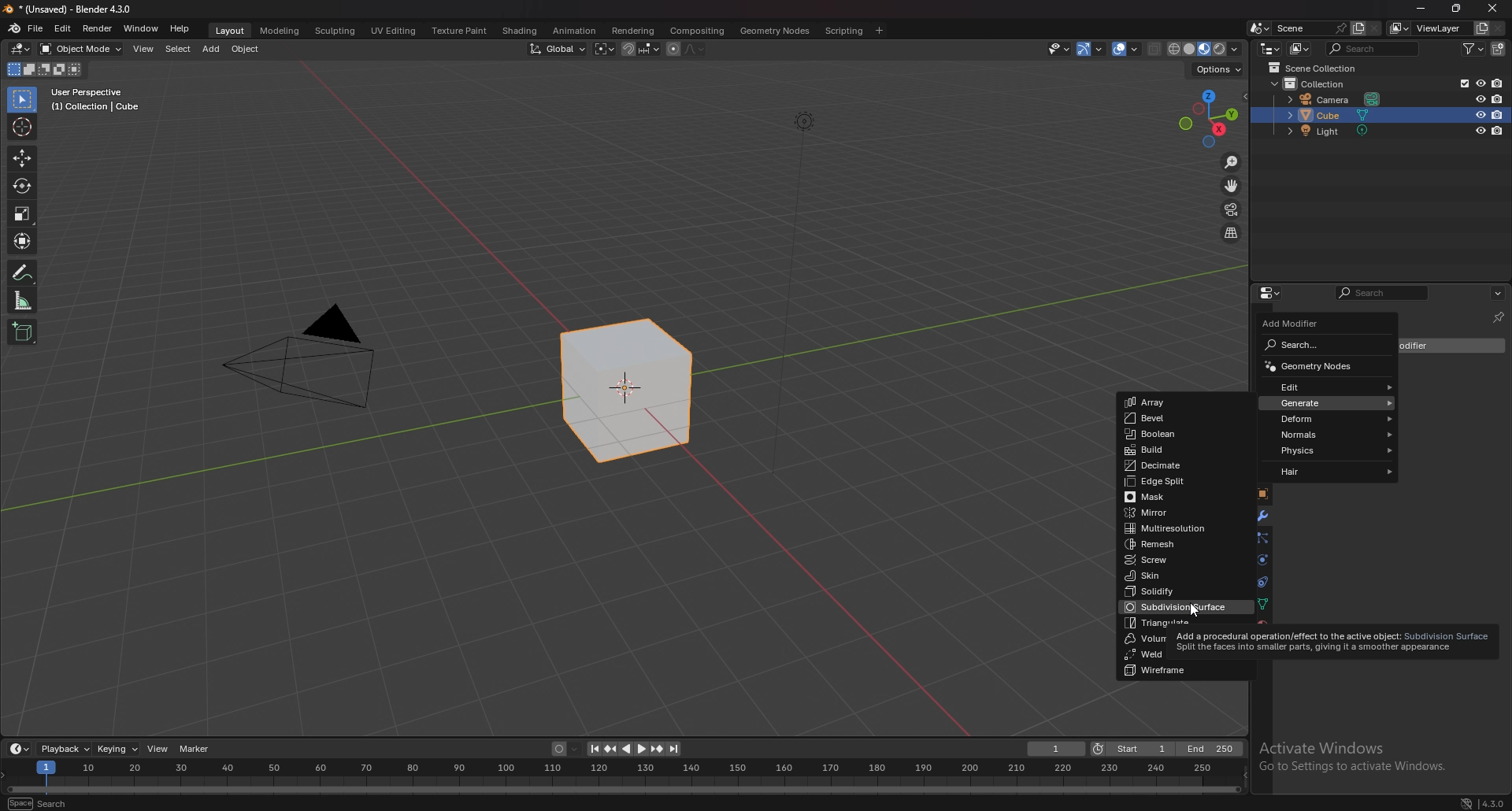 The width and height of the screenshot is (1512, 811). Describe the element at coordinates (1479, 130) in the screenshot. I see `hide in viewport` at that location.